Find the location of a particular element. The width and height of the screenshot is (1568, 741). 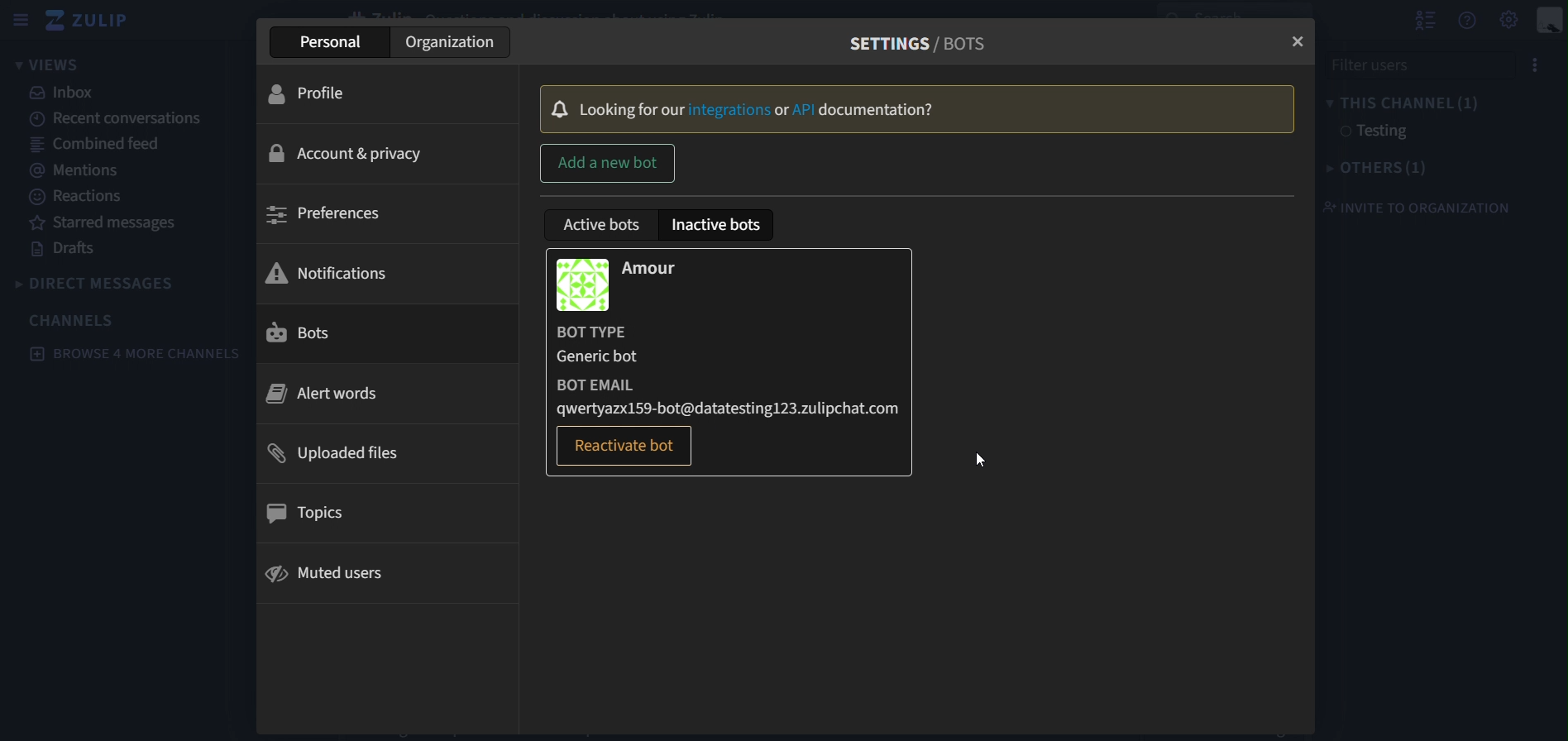

settings/bots is located at coordinates (928, 41).